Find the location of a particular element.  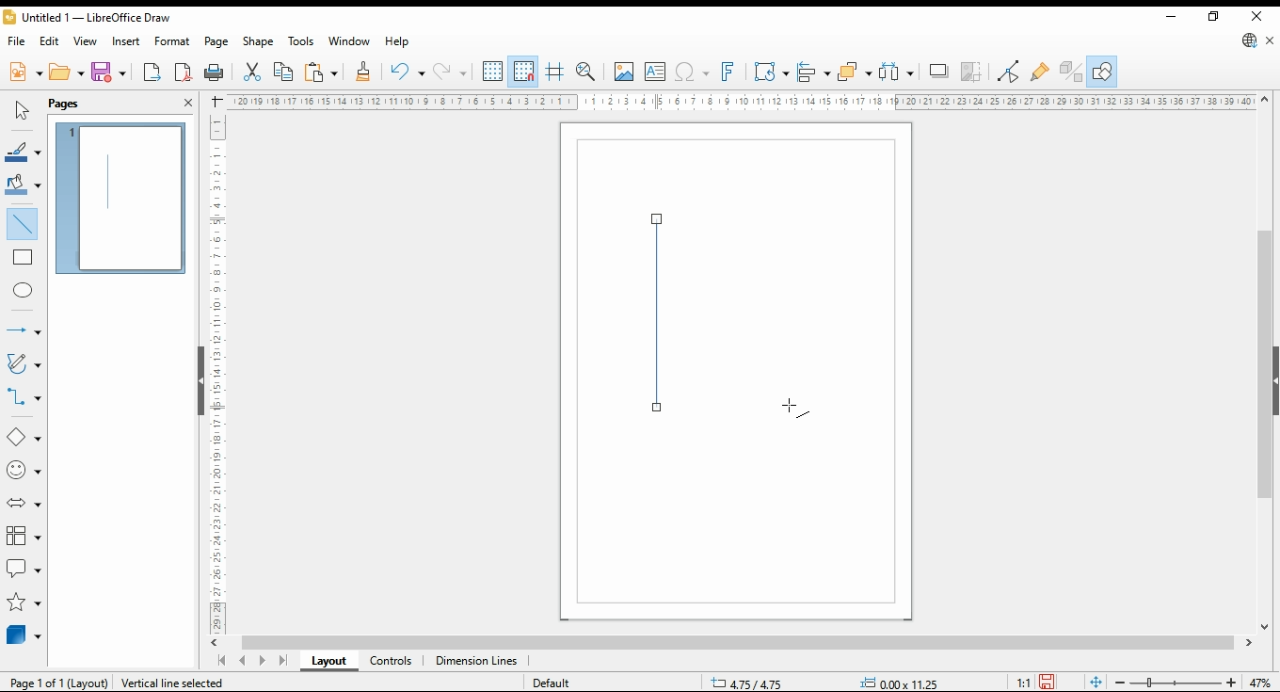

select at least three objects to distribute is located at coordinates (898, 72).